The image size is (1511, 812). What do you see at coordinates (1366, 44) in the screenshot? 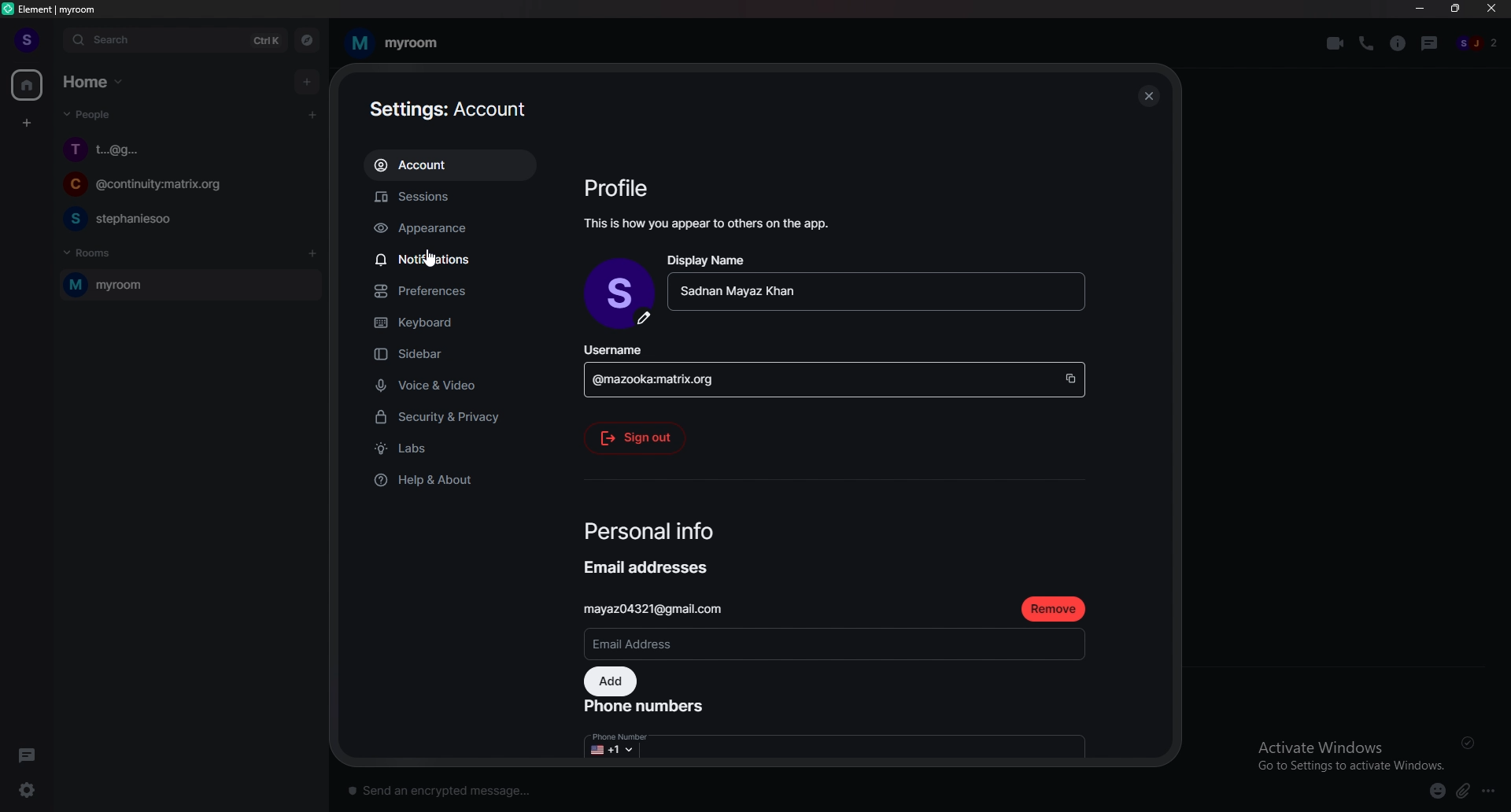
I see `voice call` at bounding box center [1366, 44].